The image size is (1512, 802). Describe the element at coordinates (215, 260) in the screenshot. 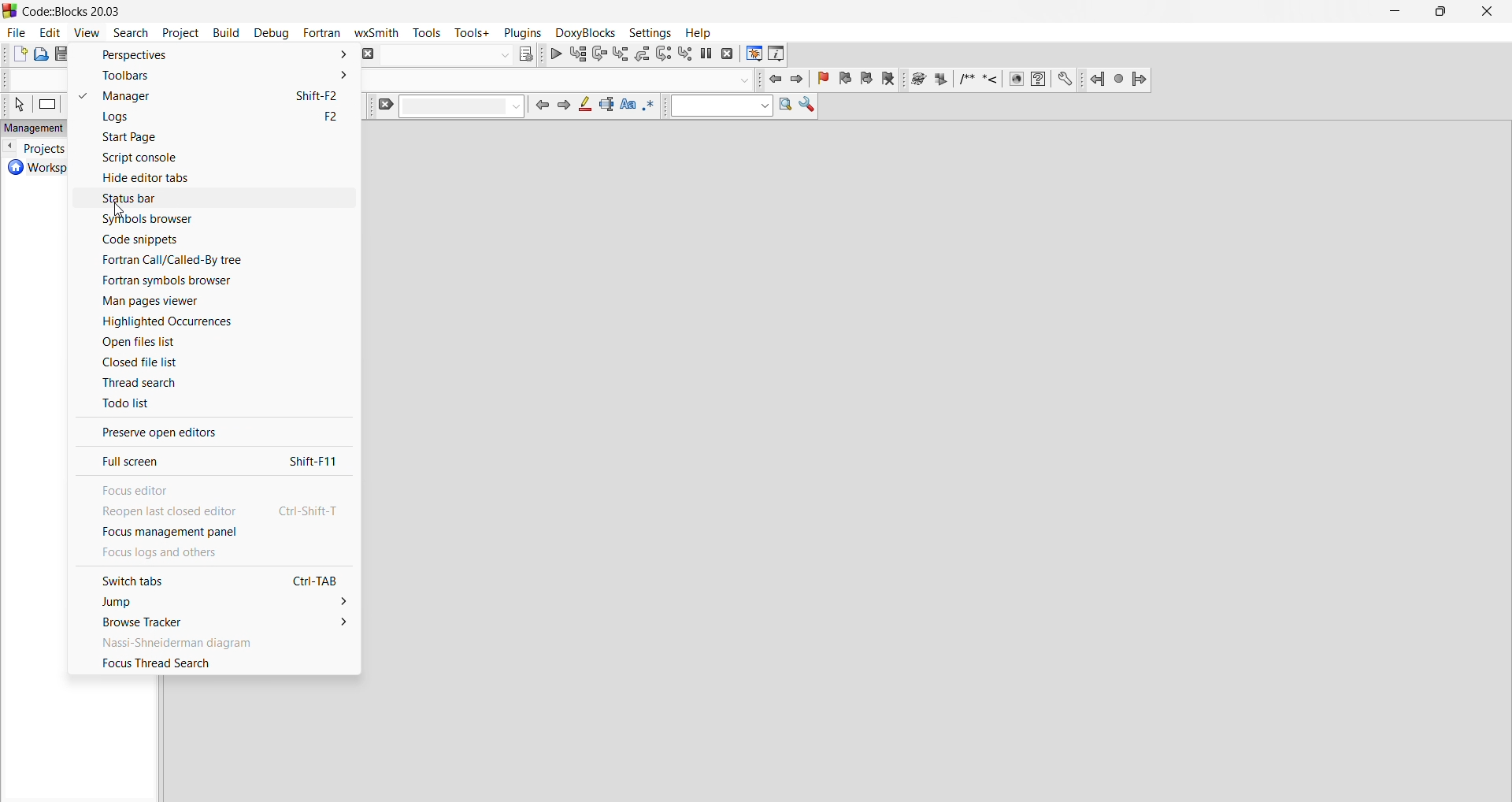

I see `fortran call/called-by tree` at that location.